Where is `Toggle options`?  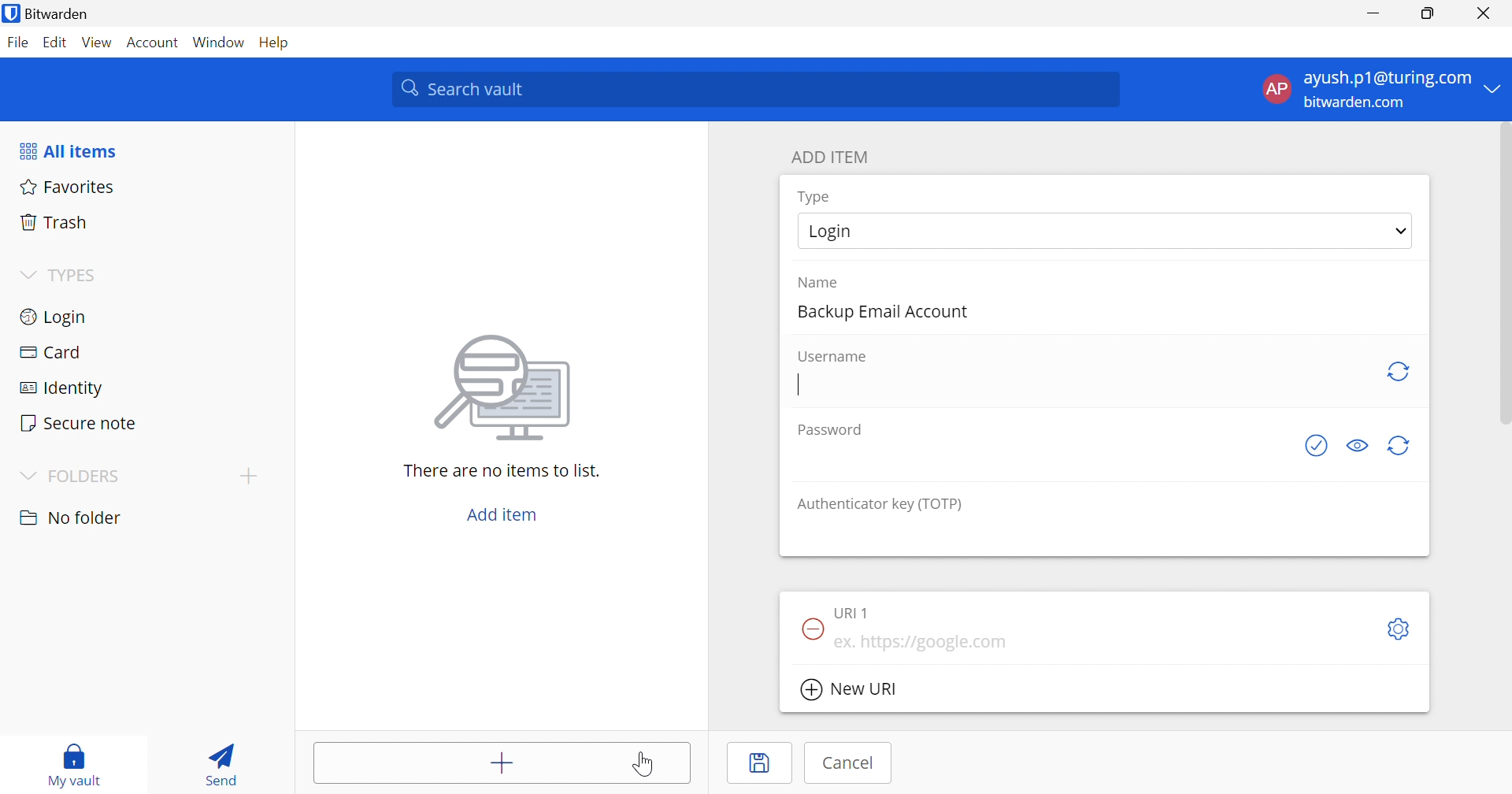 Toggle options is located at coordinates (1401, 630).